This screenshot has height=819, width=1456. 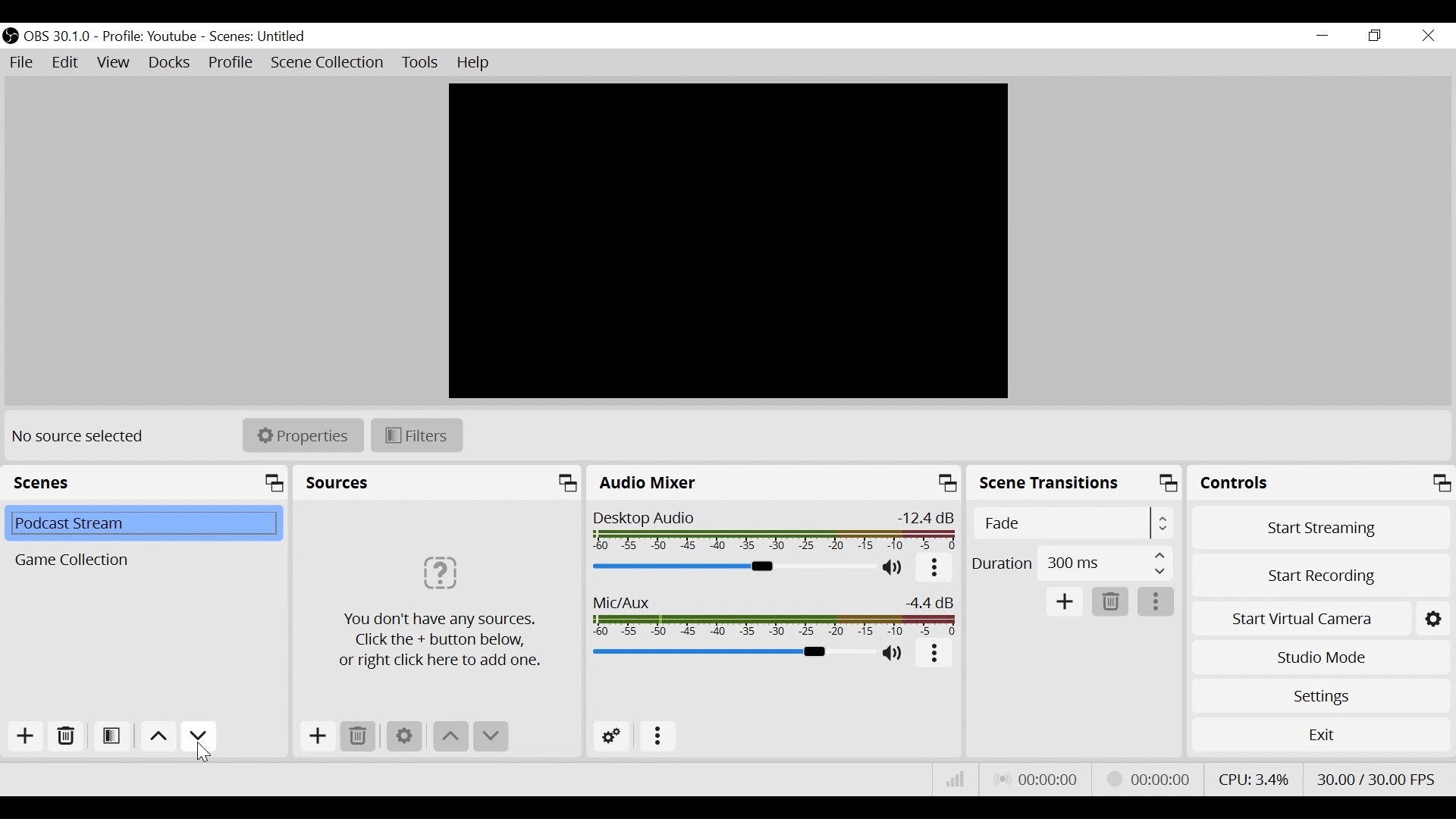 I want to click on Settings, so click(x=1320, y=695).